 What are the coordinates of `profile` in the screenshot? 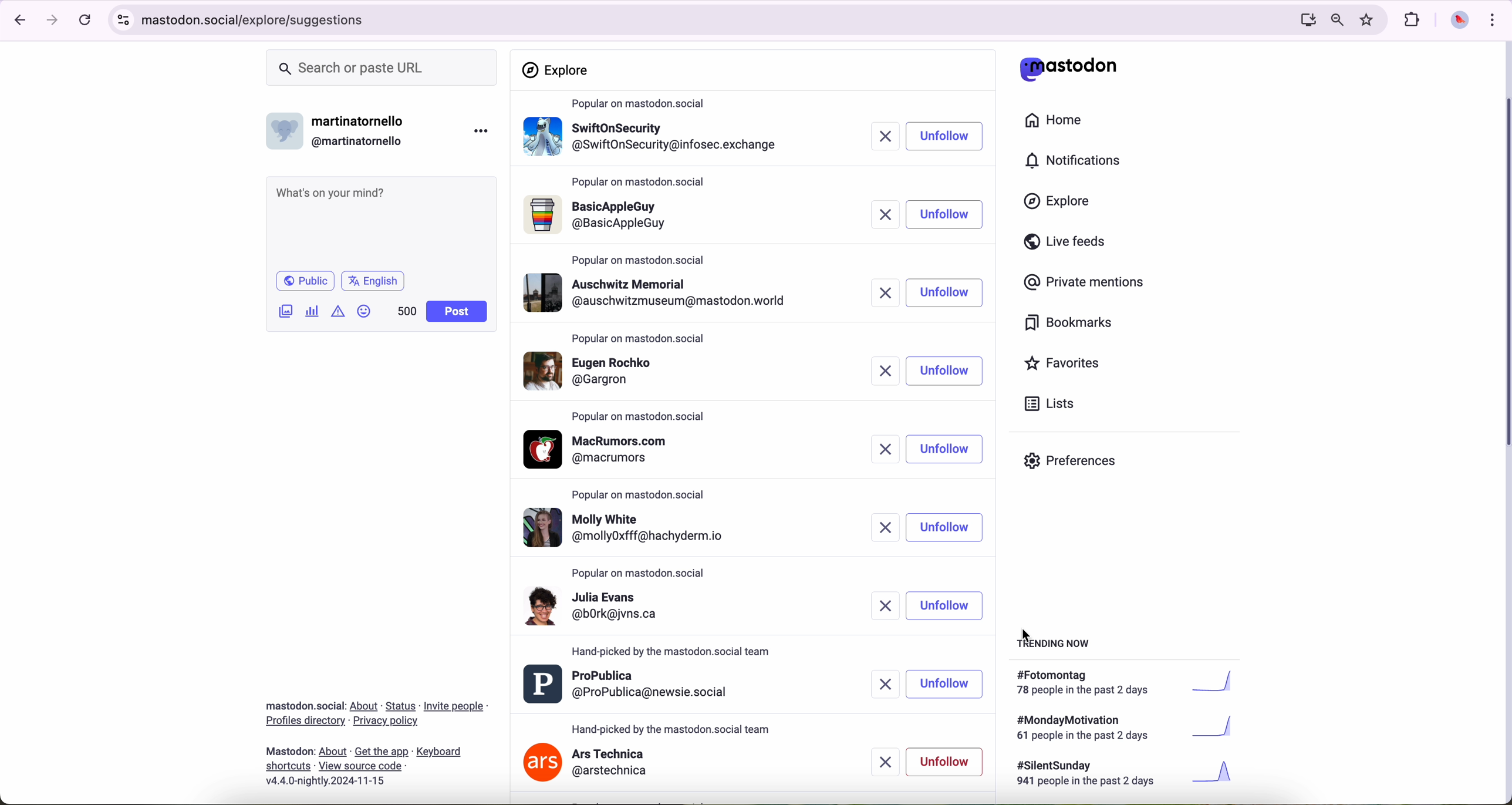 It's located at (652, 141).